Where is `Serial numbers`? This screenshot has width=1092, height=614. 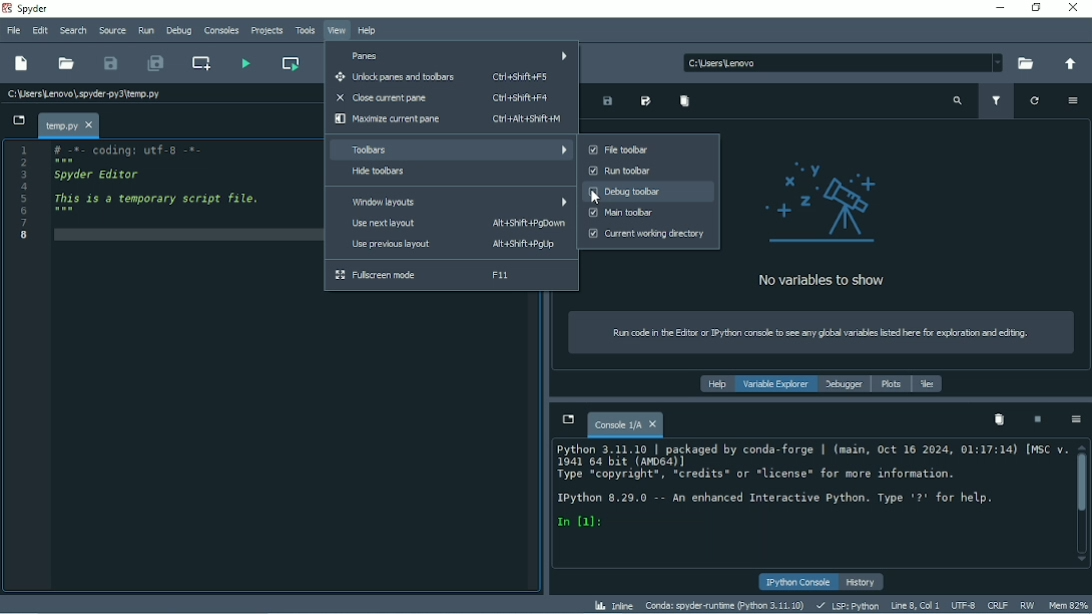 Serial numbers is located at coordinates (25, 194).